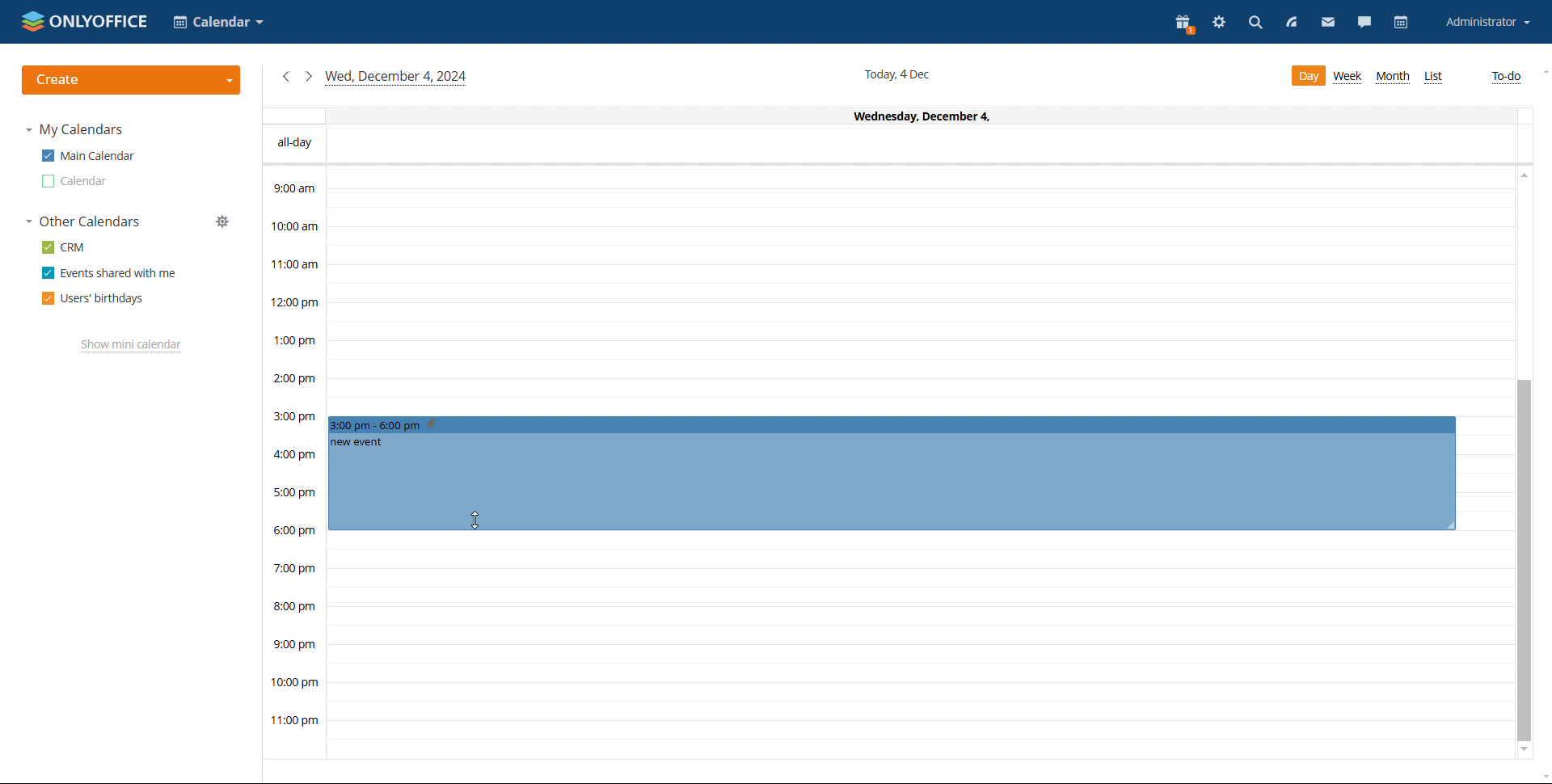  Describe the element at coordinates (474, 517) in the screenshot. I see `cursor` at that location.